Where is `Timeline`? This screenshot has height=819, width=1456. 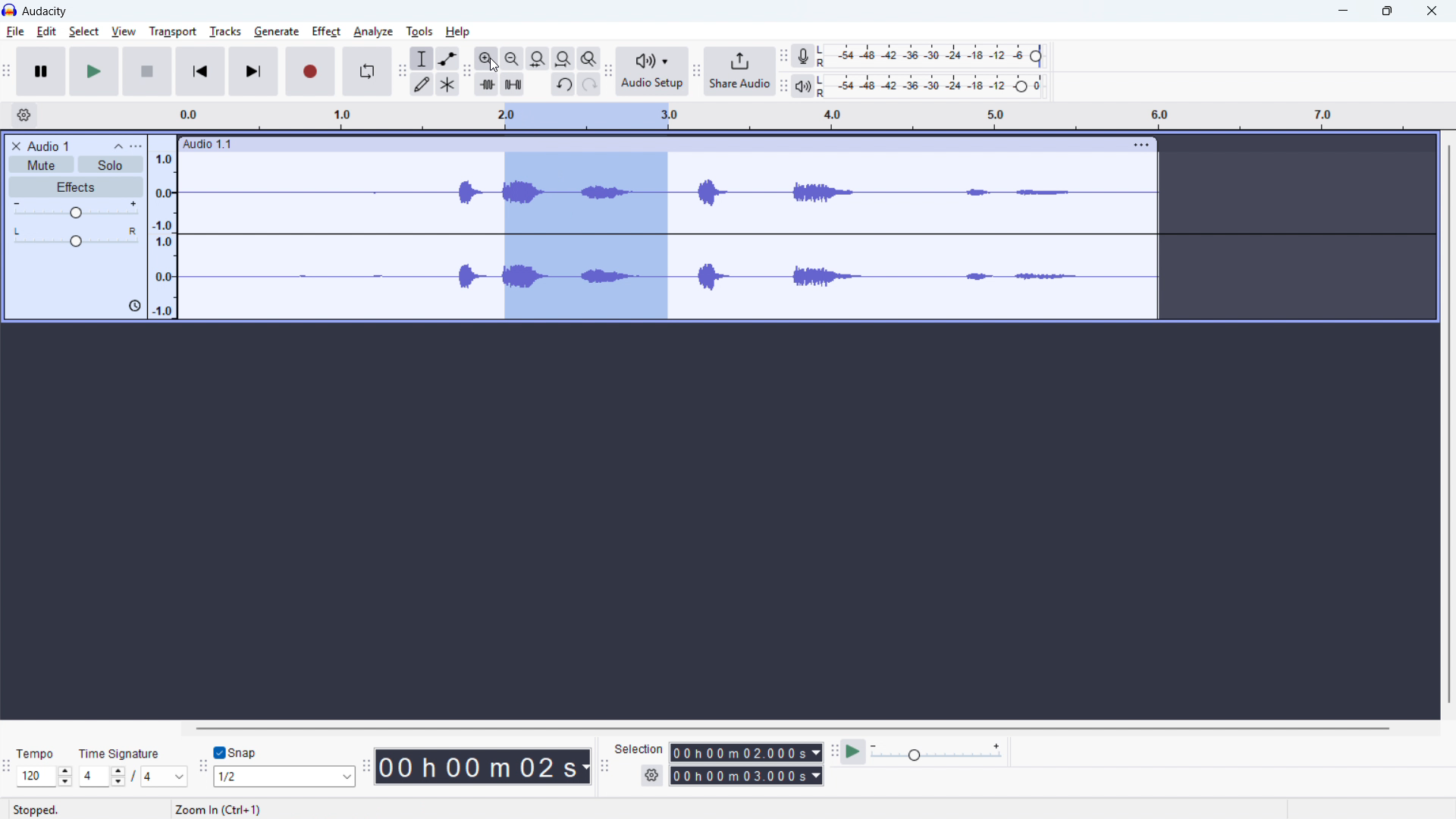 Timeline is located at coordinates (805, 116).